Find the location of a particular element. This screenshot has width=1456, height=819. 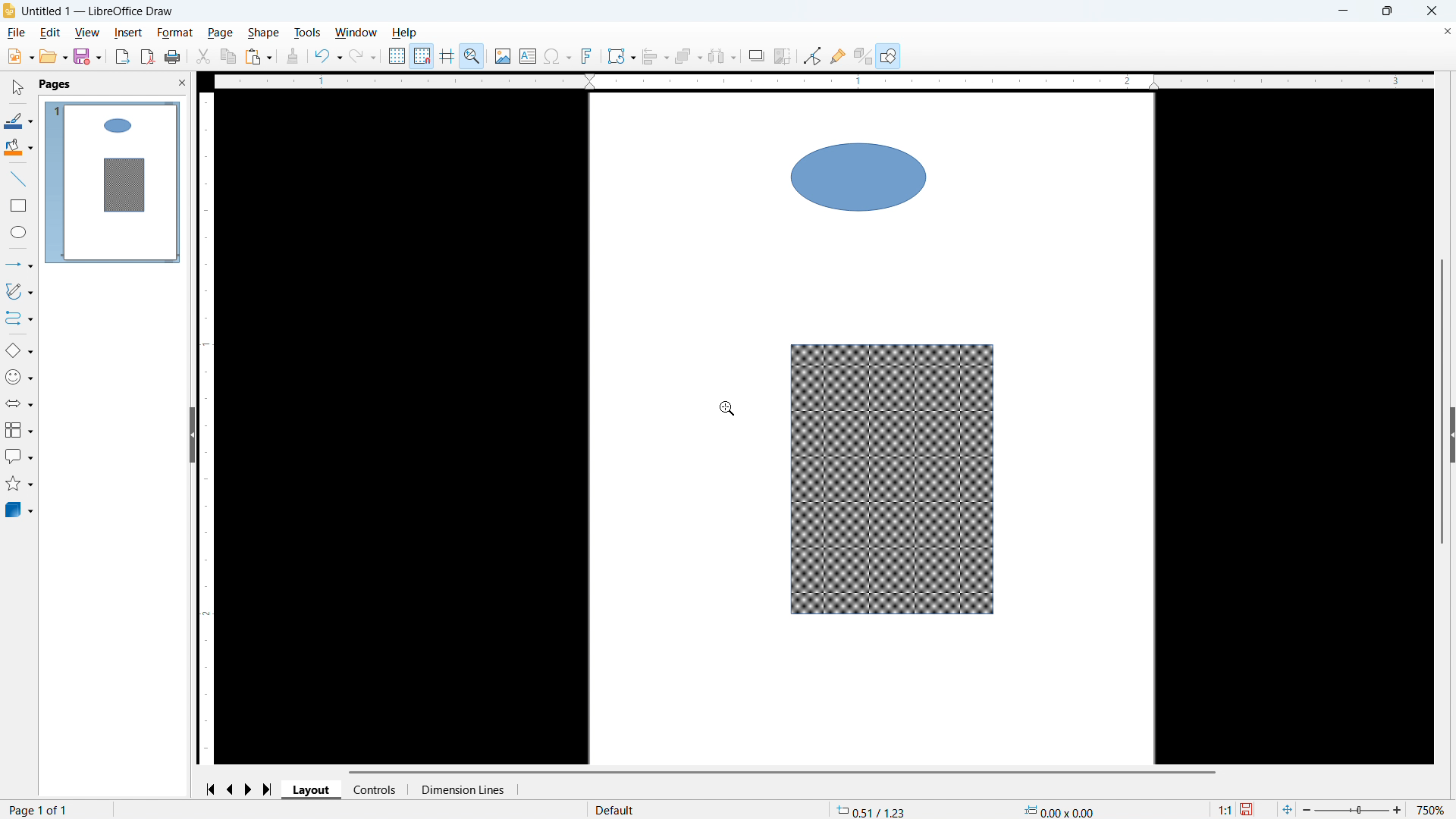

shape  is located at coordinates (264, 33).